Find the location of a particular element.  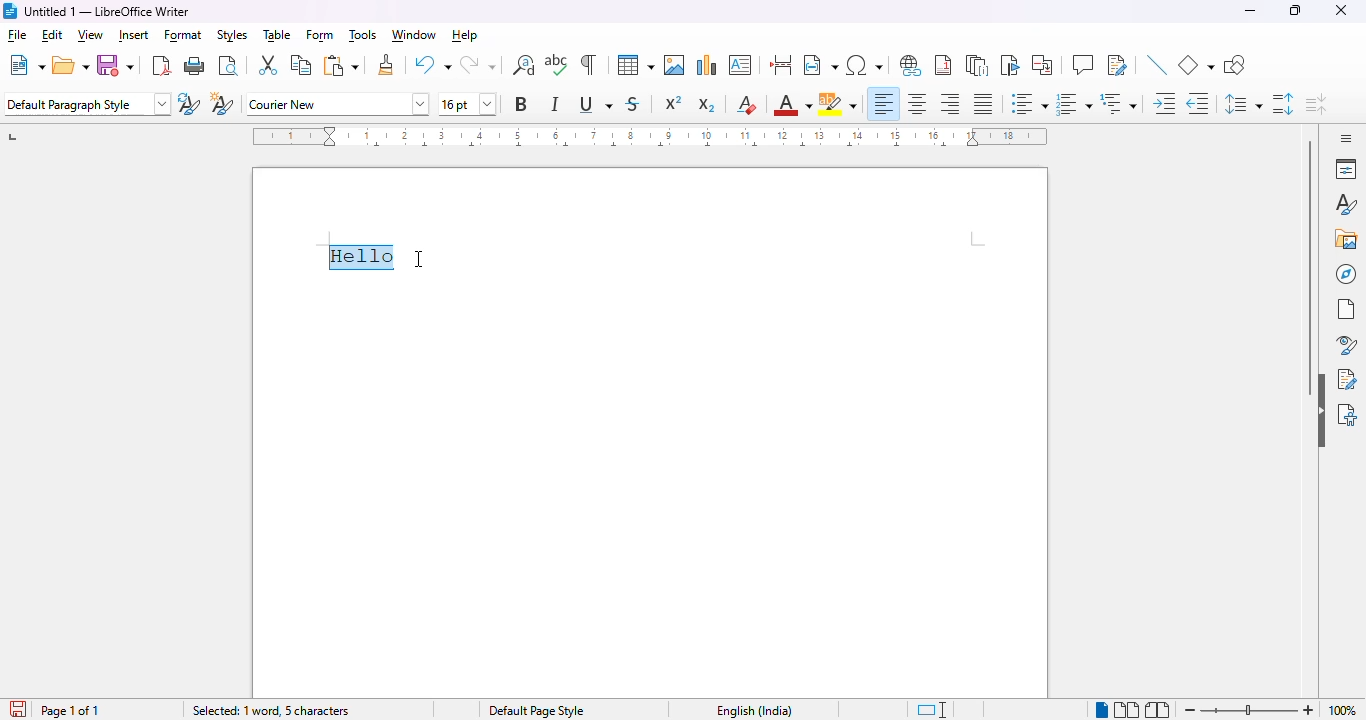

zoom out is located at coordinates (1188, 709).